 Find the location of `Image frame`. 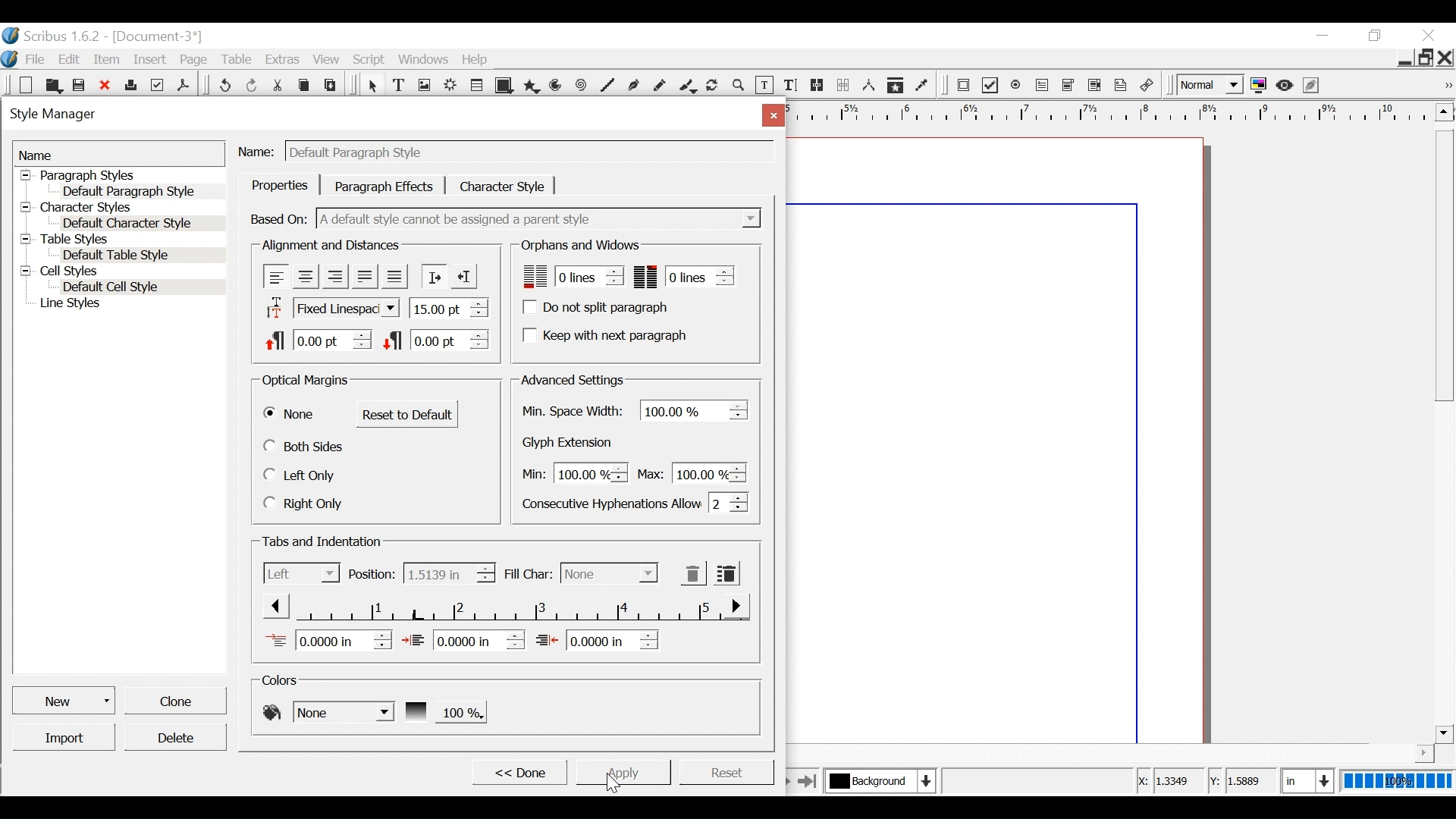

Image frame is located at coordinates (424, 86).